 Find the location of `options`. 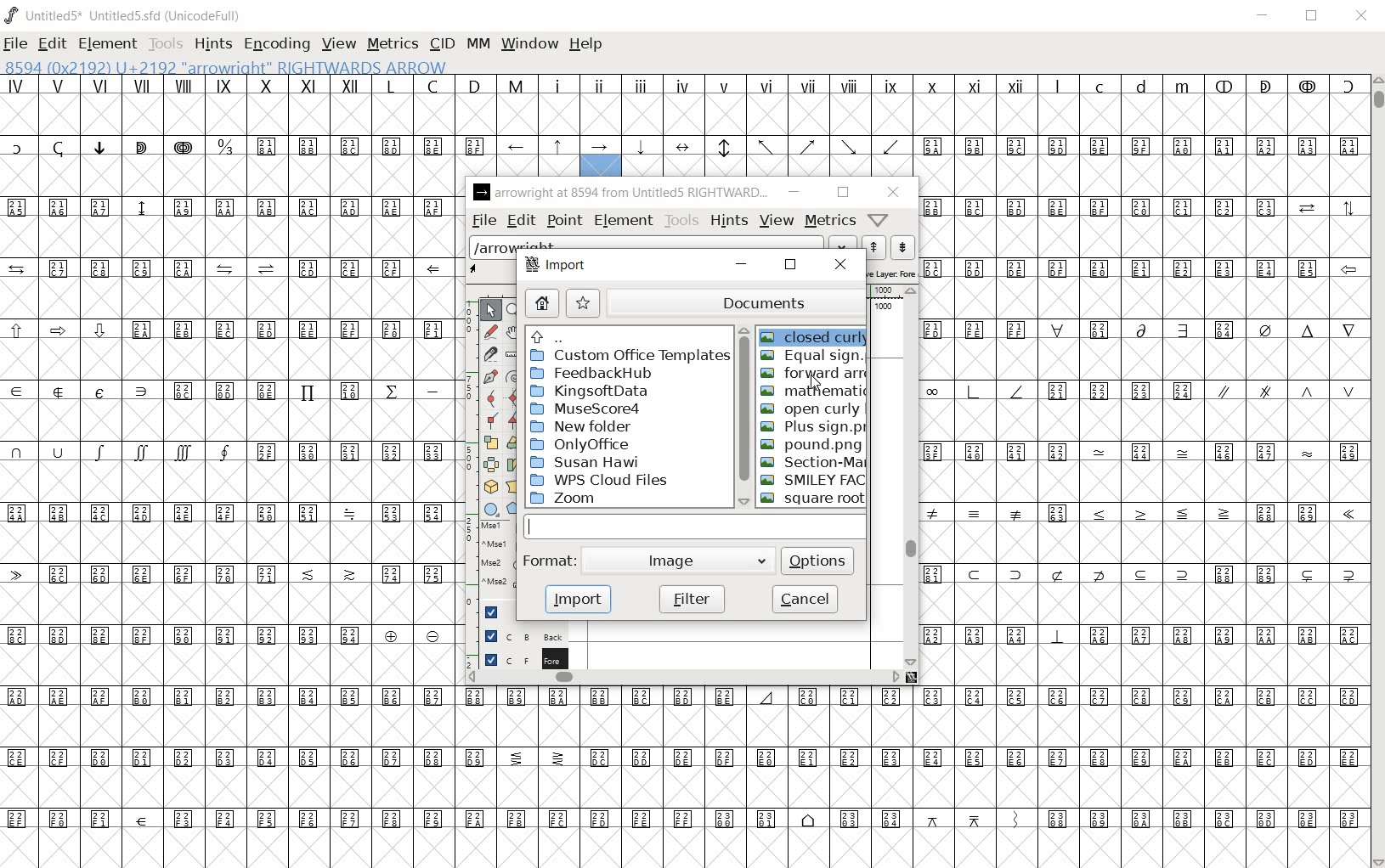

options is located at coordinates (818, 559).